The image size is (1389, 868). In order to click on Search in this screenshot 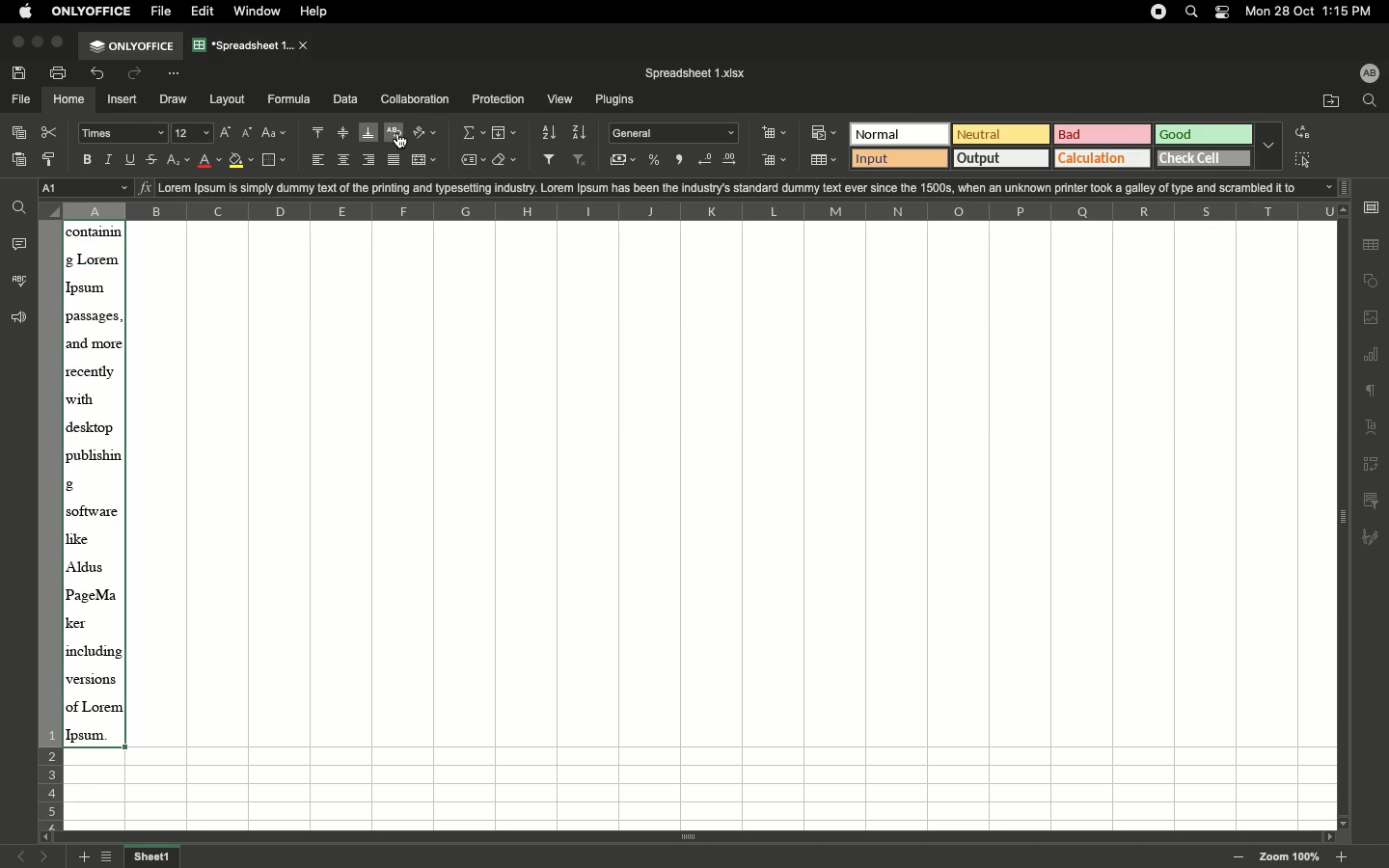, I will do `click(1193, 12)`.